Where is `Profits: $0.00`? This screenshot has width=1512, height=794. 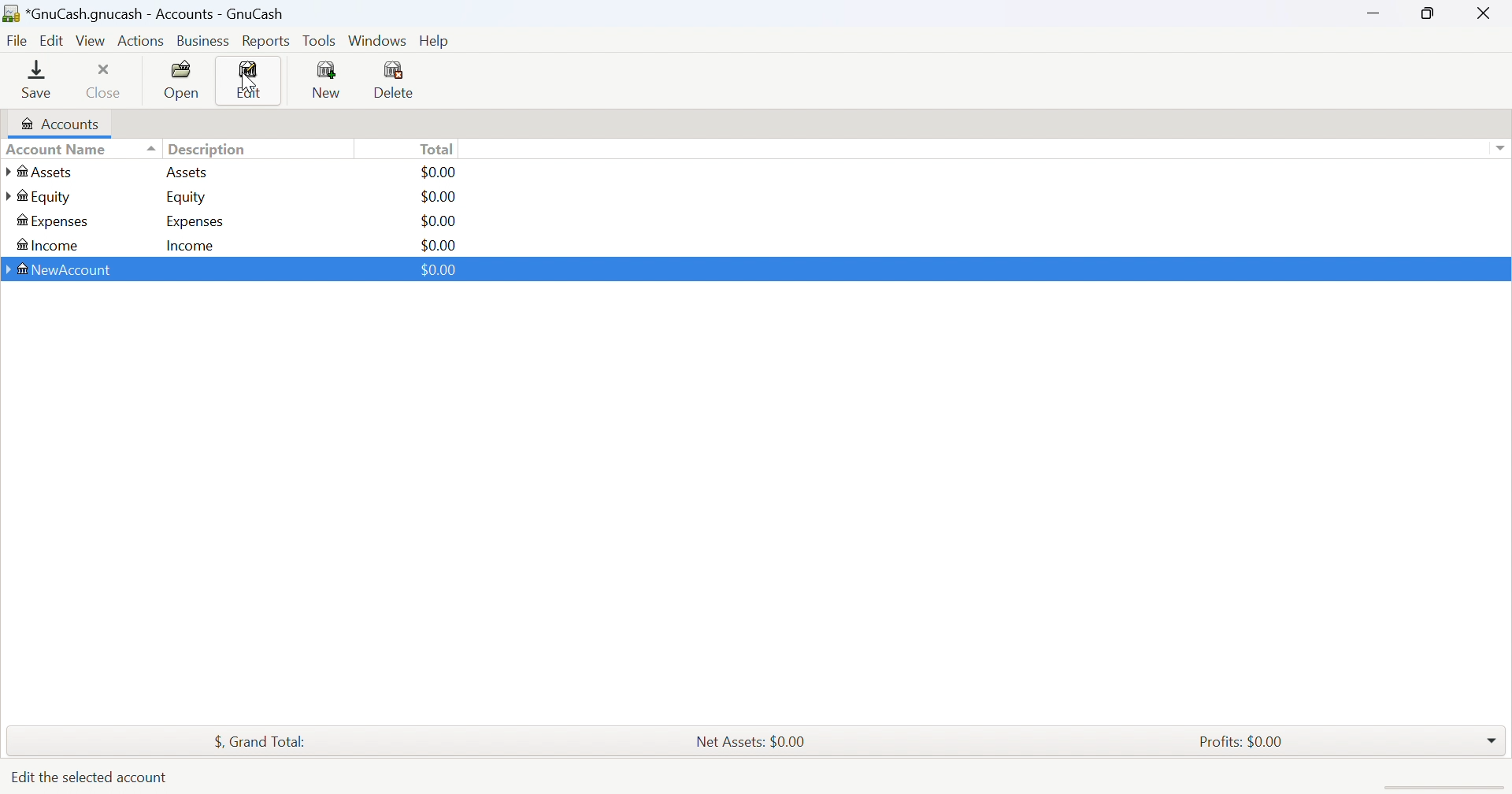
Profits: $0.00 is located at coordinates (1244, 742).